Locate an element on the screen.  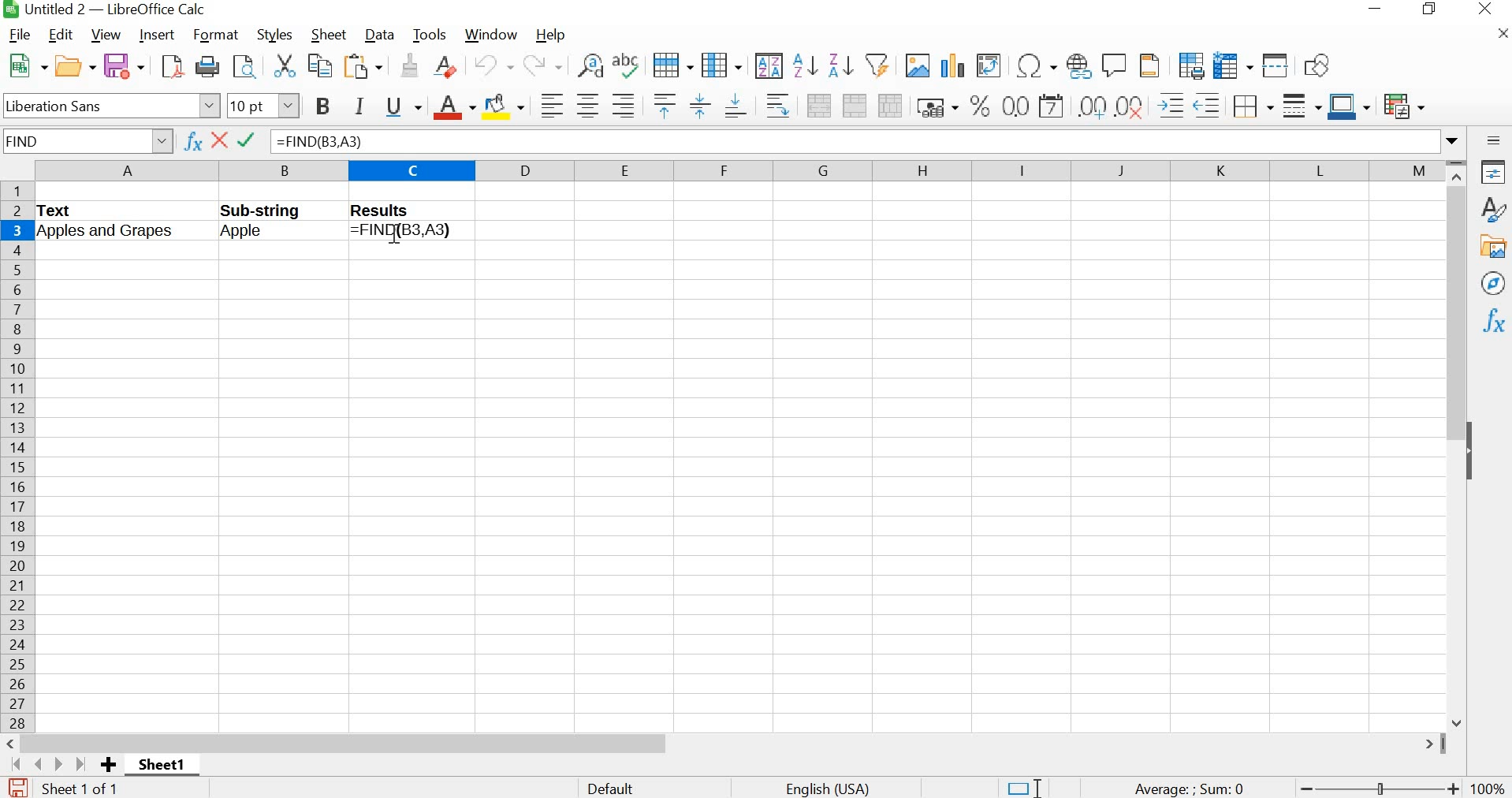
expand formula bar is located at coordinates (869, 140).